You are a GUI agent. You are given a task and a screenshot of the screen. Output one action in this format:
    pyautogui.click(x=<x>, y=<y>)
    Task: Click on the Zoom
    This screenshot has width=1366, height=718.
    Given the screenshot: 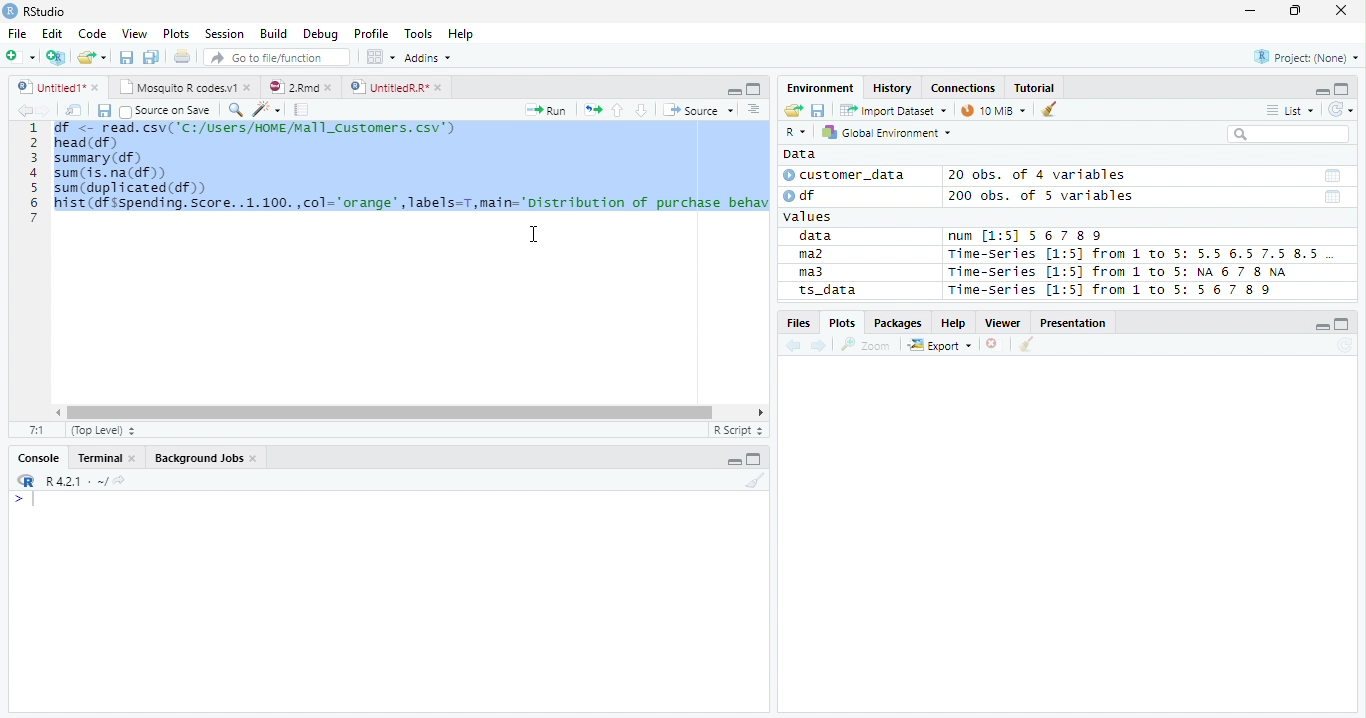 What is the action you would take?
    pyautogui.click(x=866, y=345)
    